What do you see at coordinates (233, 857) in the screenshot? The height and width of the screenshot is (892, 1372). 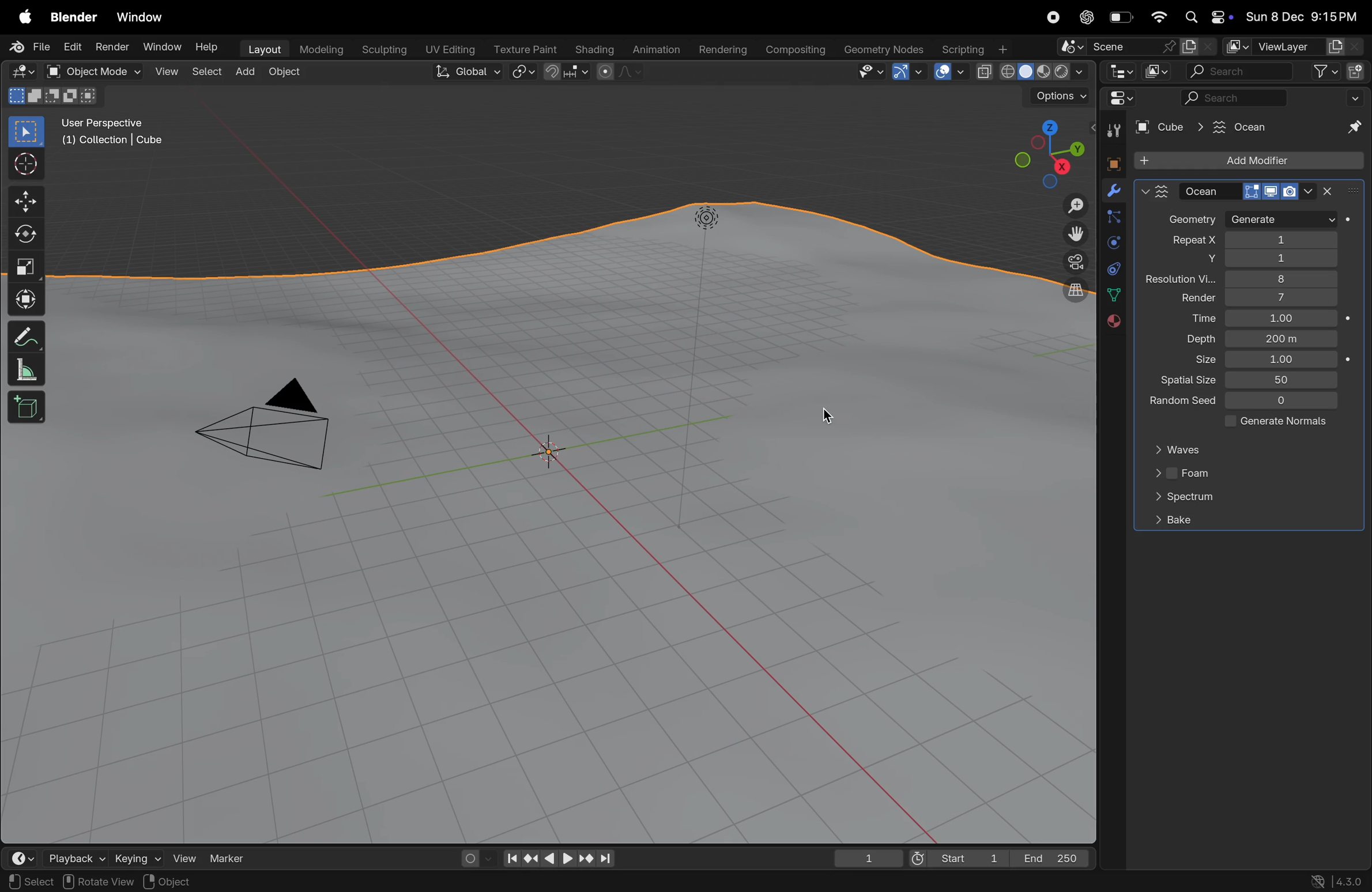 I see `maker` at bounding box center [233, 857].